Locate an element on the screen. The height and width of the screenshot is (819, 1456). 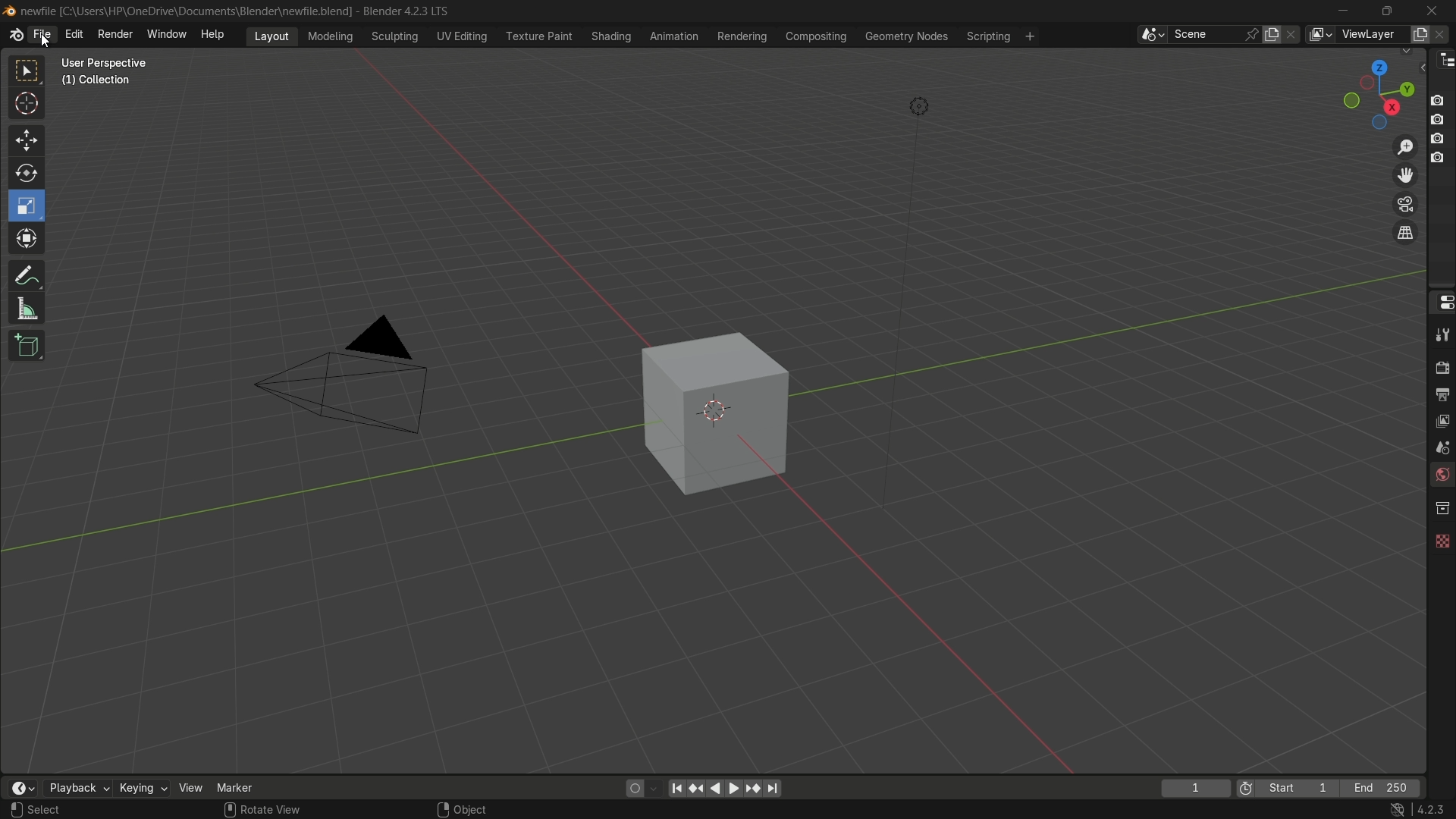
add workspace is located at coordinates (1028, 36).